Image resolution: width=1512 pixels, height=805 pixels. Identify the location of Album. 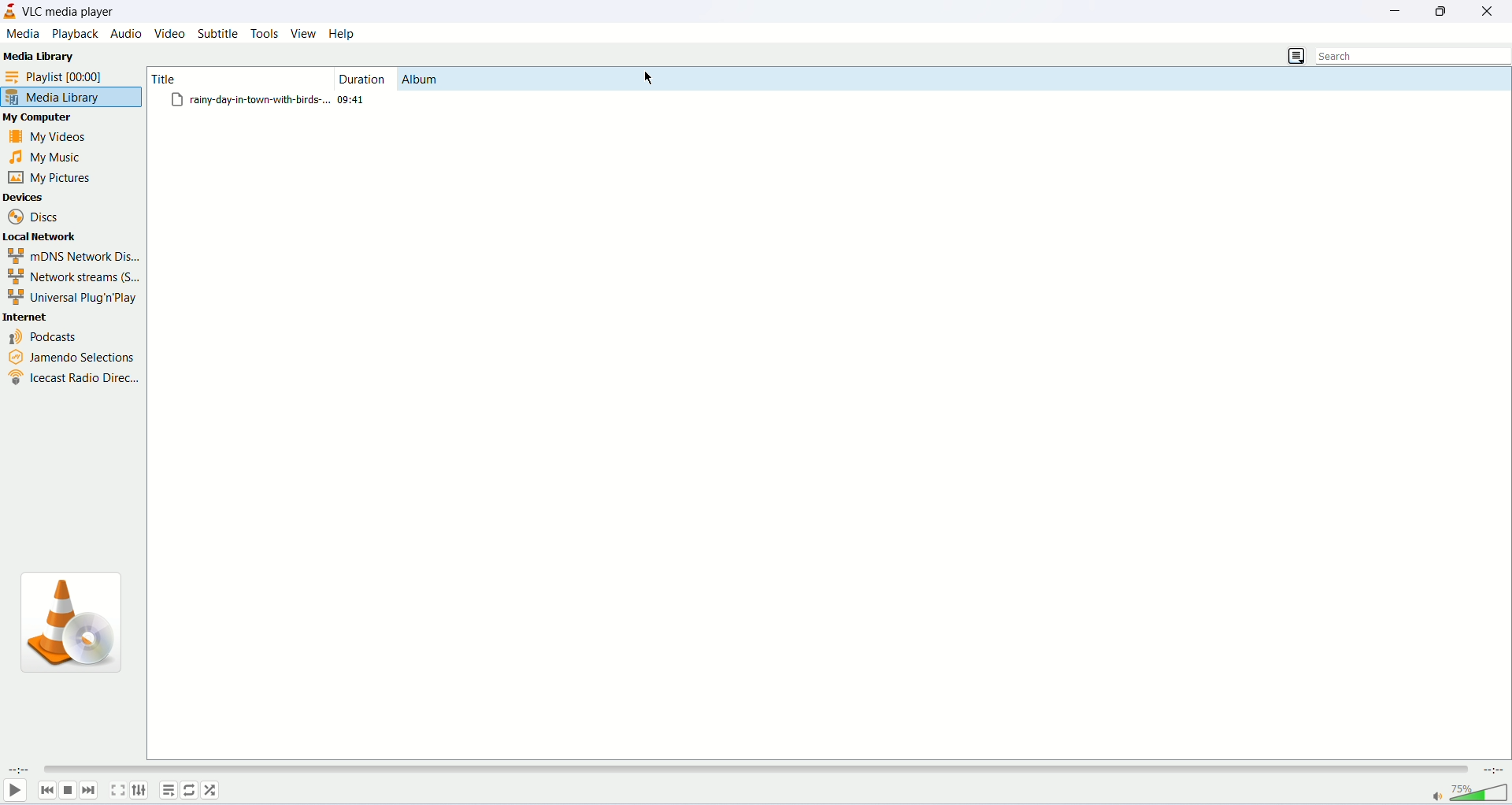
(436, 79).